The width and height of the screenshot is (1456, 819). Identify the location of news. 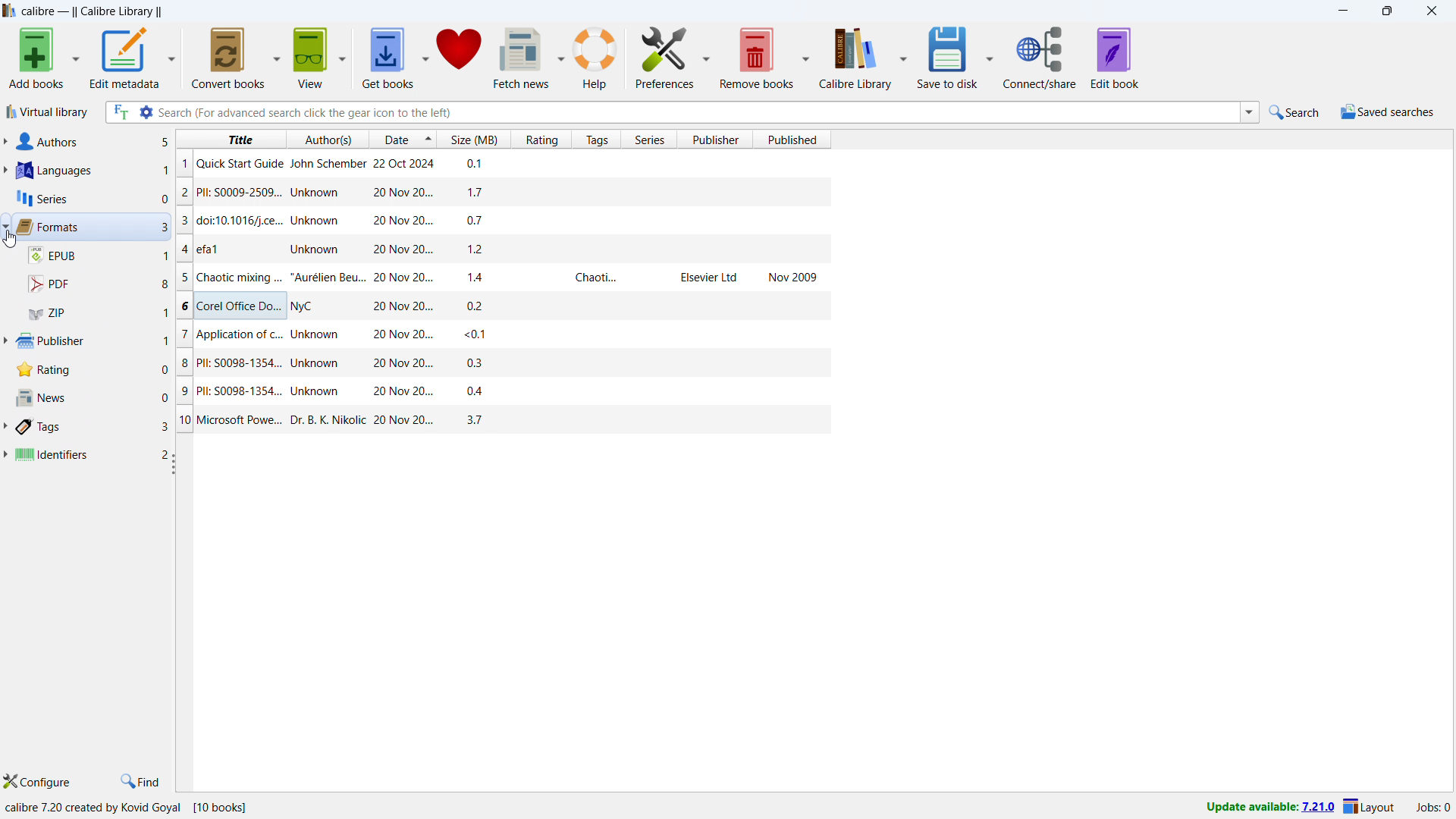
(90, 398).